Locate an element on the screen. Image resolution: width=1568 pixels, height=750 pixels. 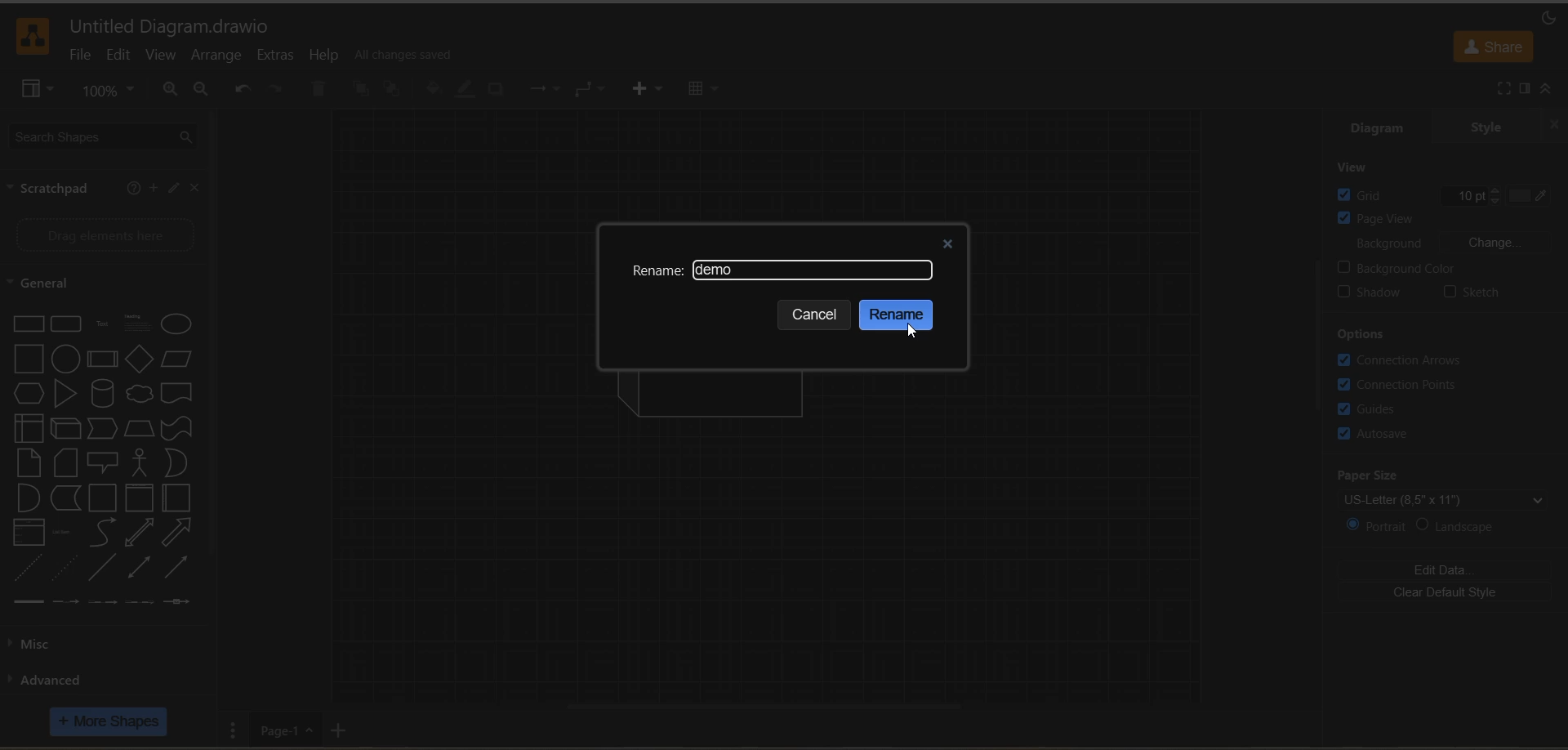
undo is located at coordinates (243, 87).